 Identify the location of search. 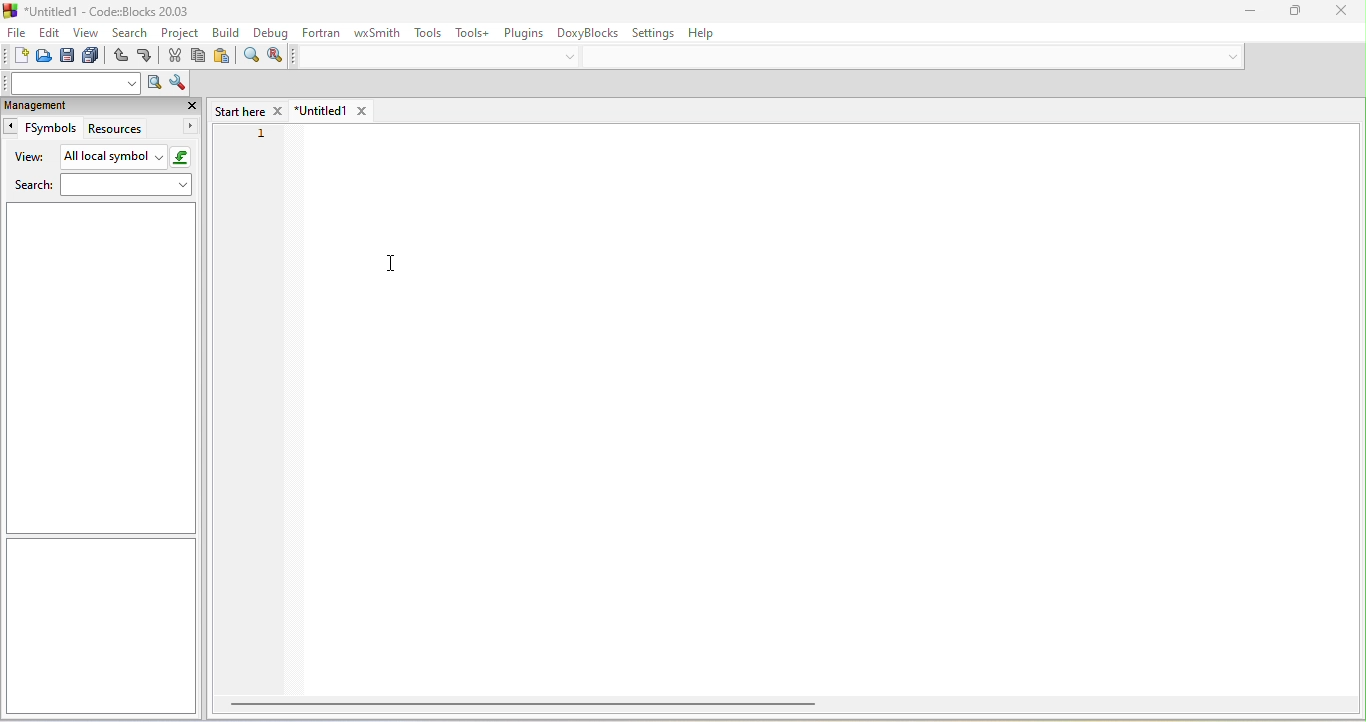
(105, 187).